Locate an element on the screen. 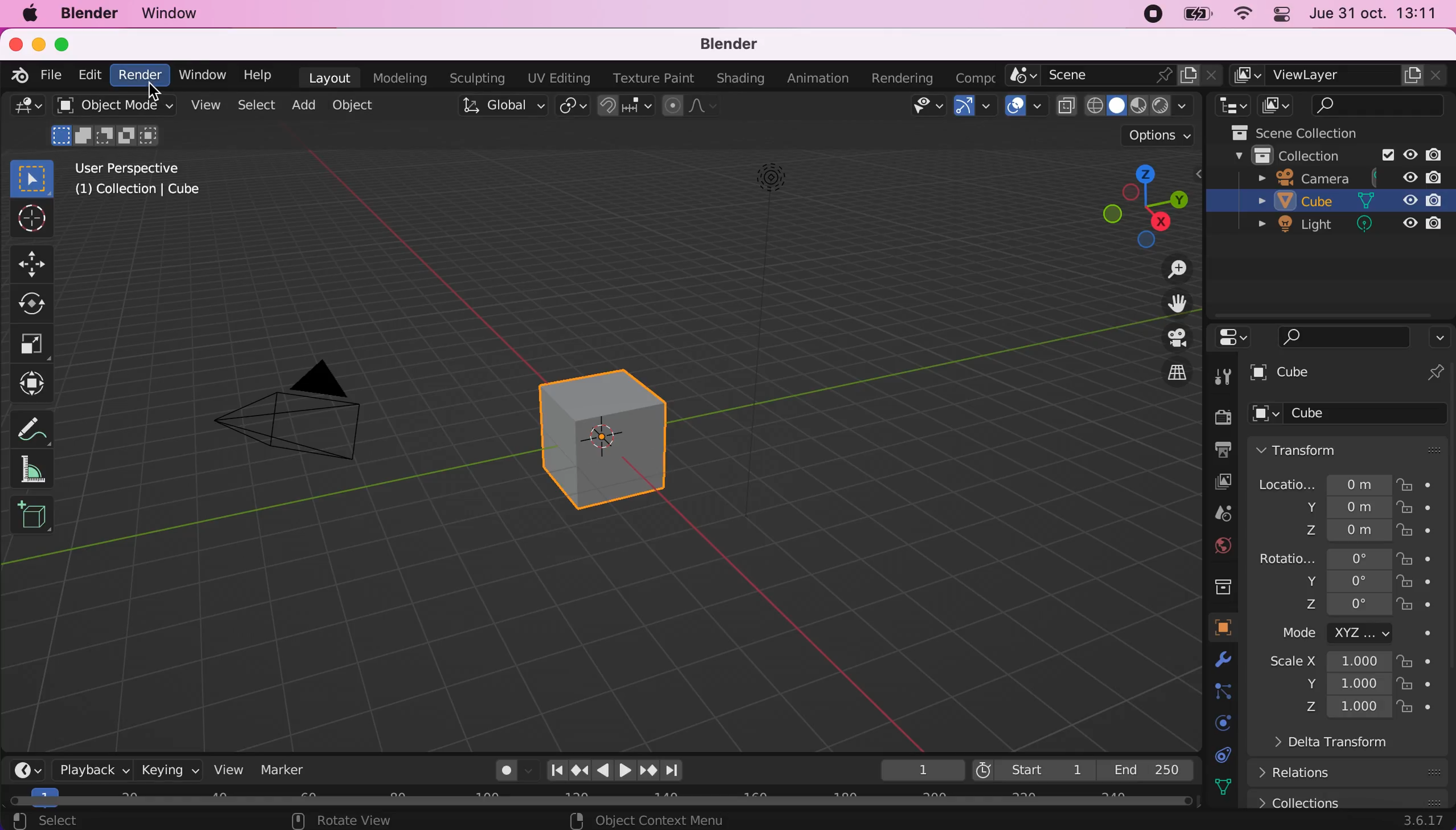 Image resolution: width=1456 pixels, height=830 pixels. edit is located at coordinates (90, 74).